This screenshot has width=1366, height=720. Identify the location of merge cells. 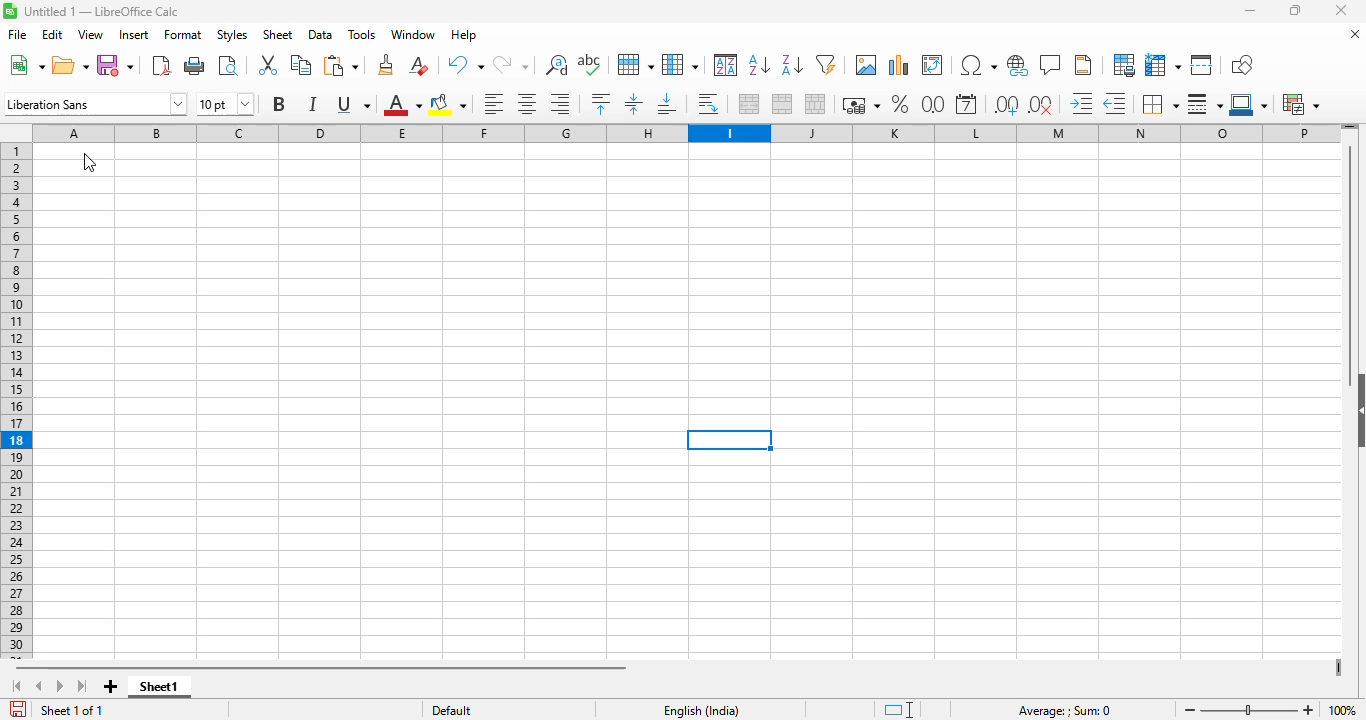
(783, 104).